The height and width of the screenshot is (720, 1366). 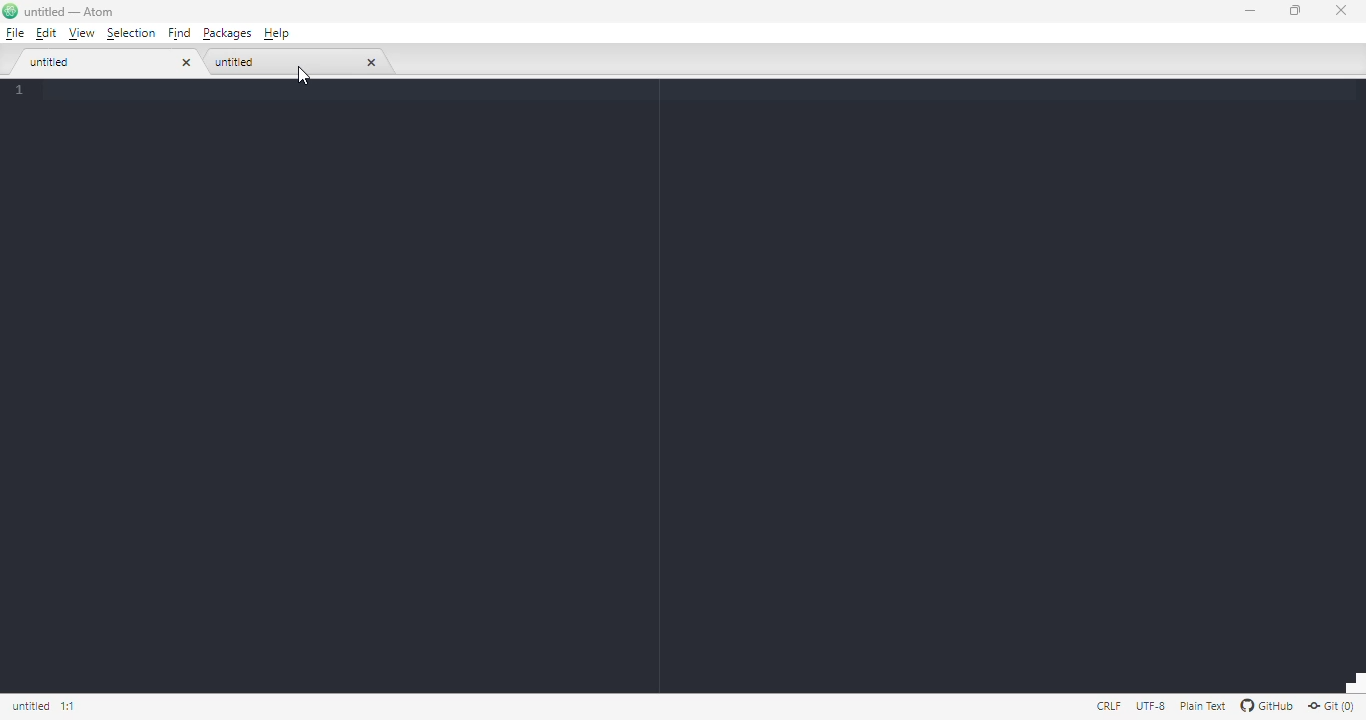 What do you see at coordinates (31, 707) in the screenshot?
I see `untitled` at bounding box center [31, 707].